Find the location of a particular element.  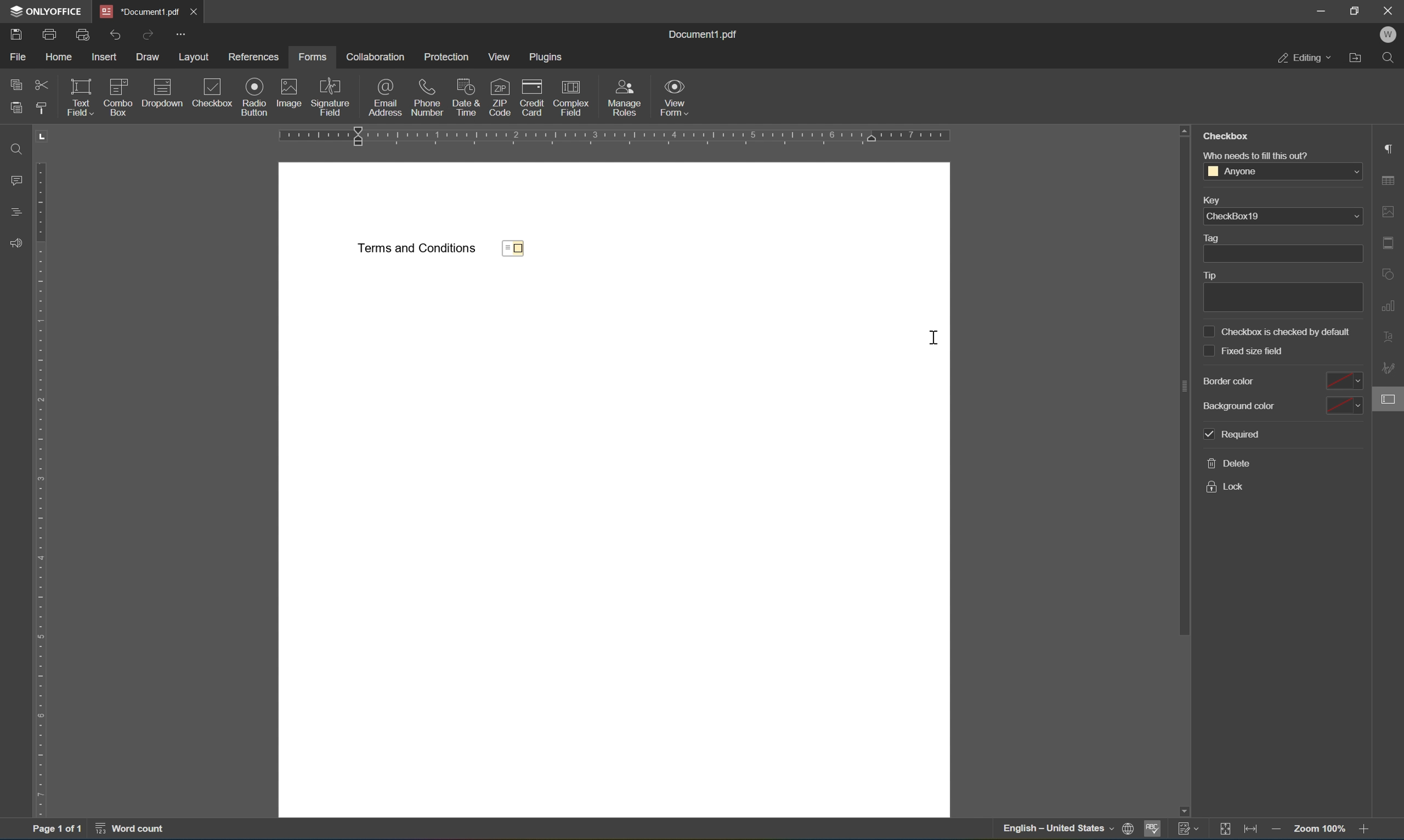

combo box is located at coordinates (118, 97).